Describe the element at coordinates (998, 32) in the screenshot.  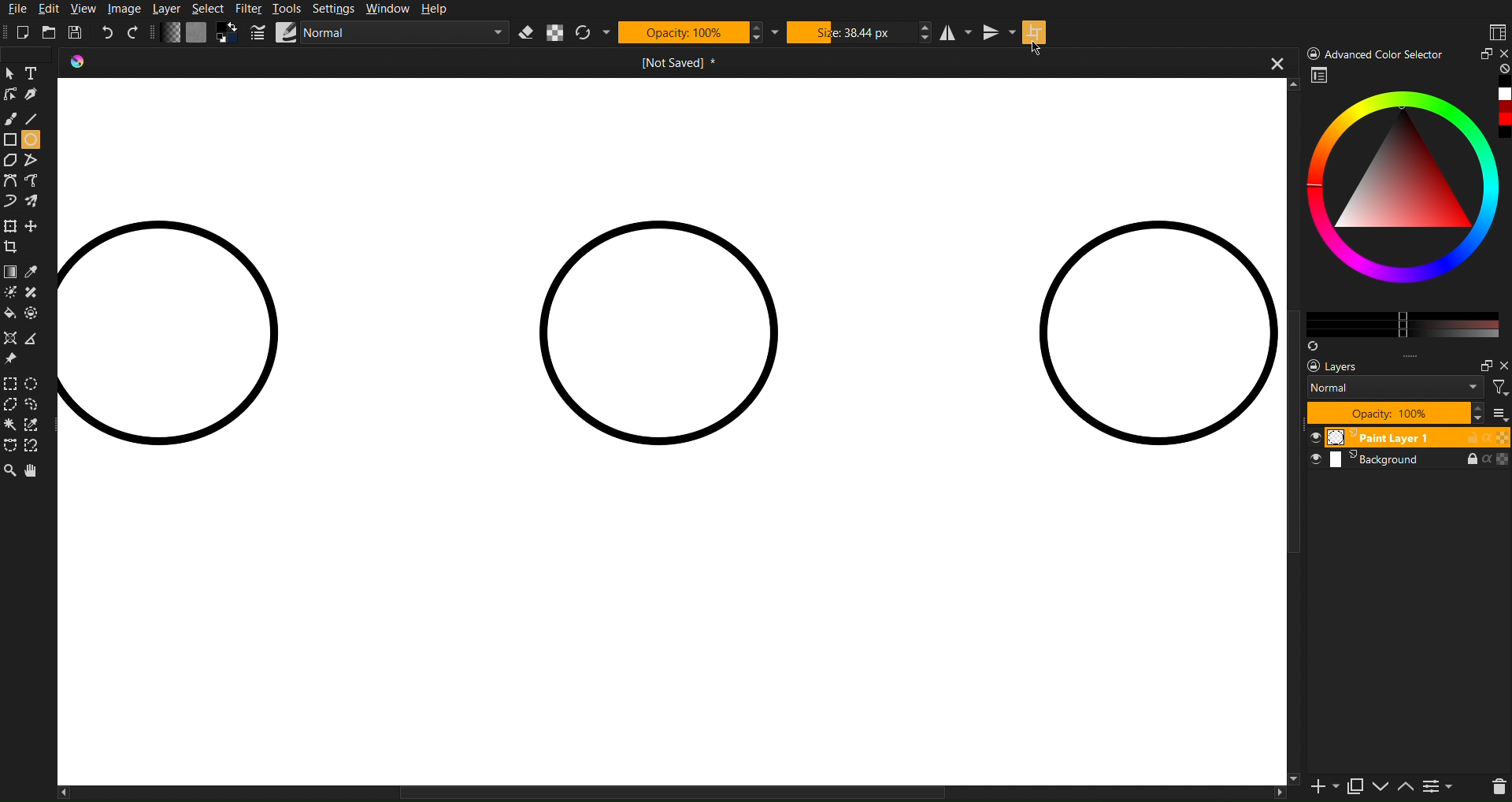
I see `Vertical Mirror` at that location.